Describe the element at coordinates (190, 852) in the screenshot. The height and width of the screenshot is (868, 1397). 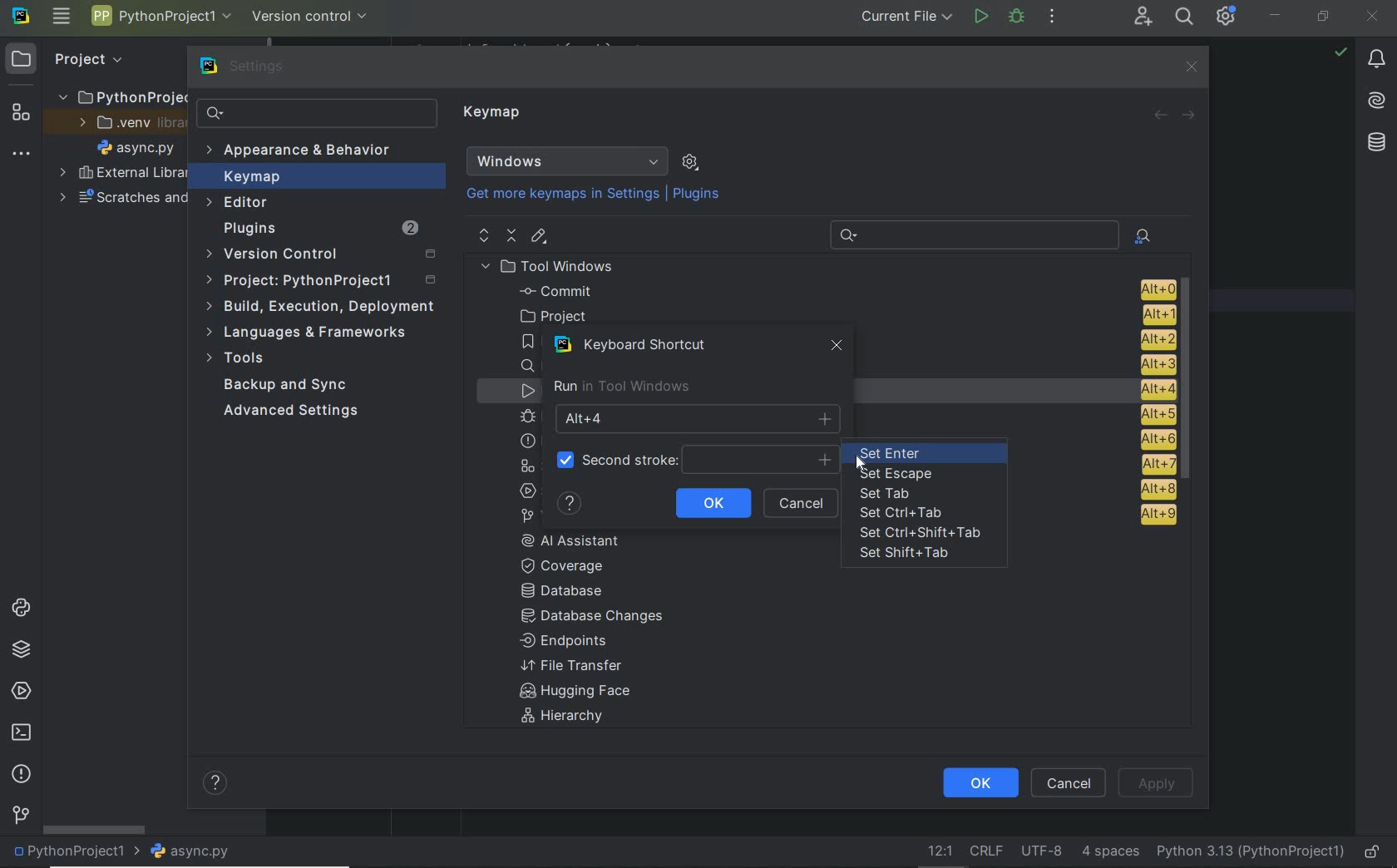
I see `file name` at that location.